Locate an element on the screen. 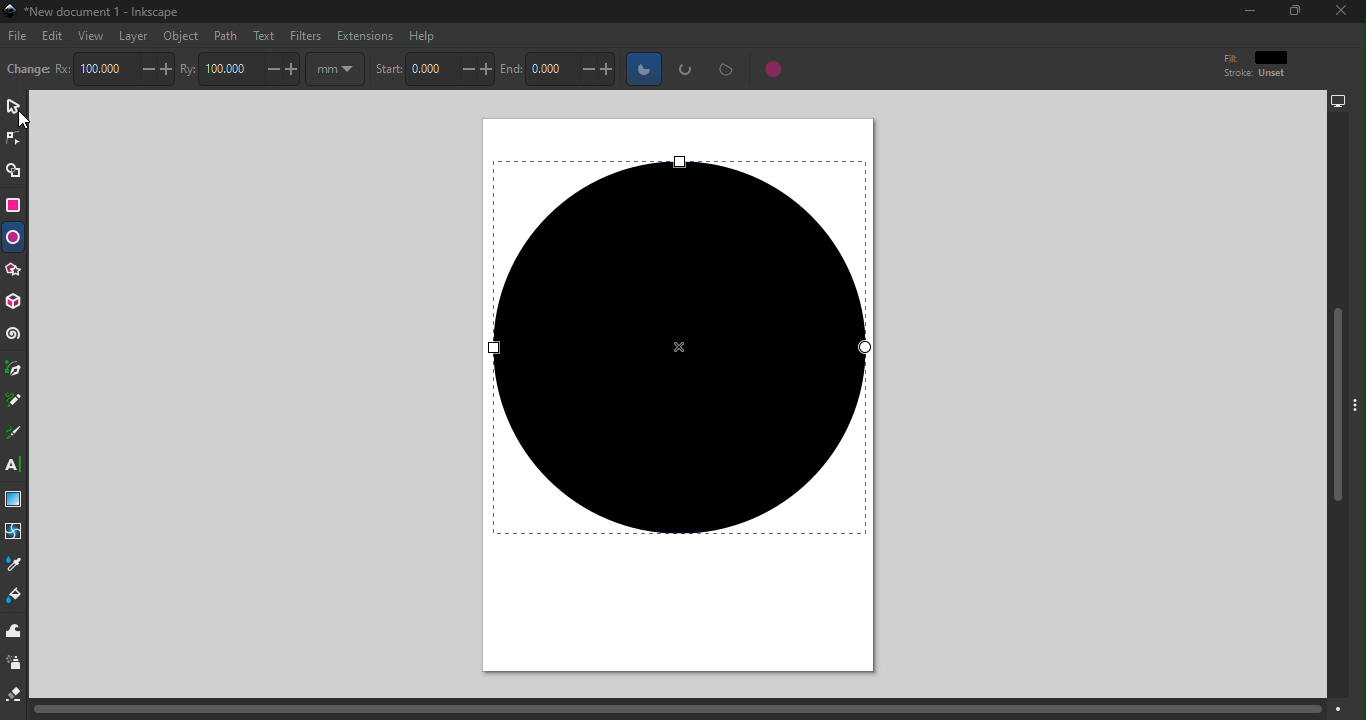 Image resolution: width=1366 pixels, height=720 pixels. Mesh tool is located at coordinates (14, 532).